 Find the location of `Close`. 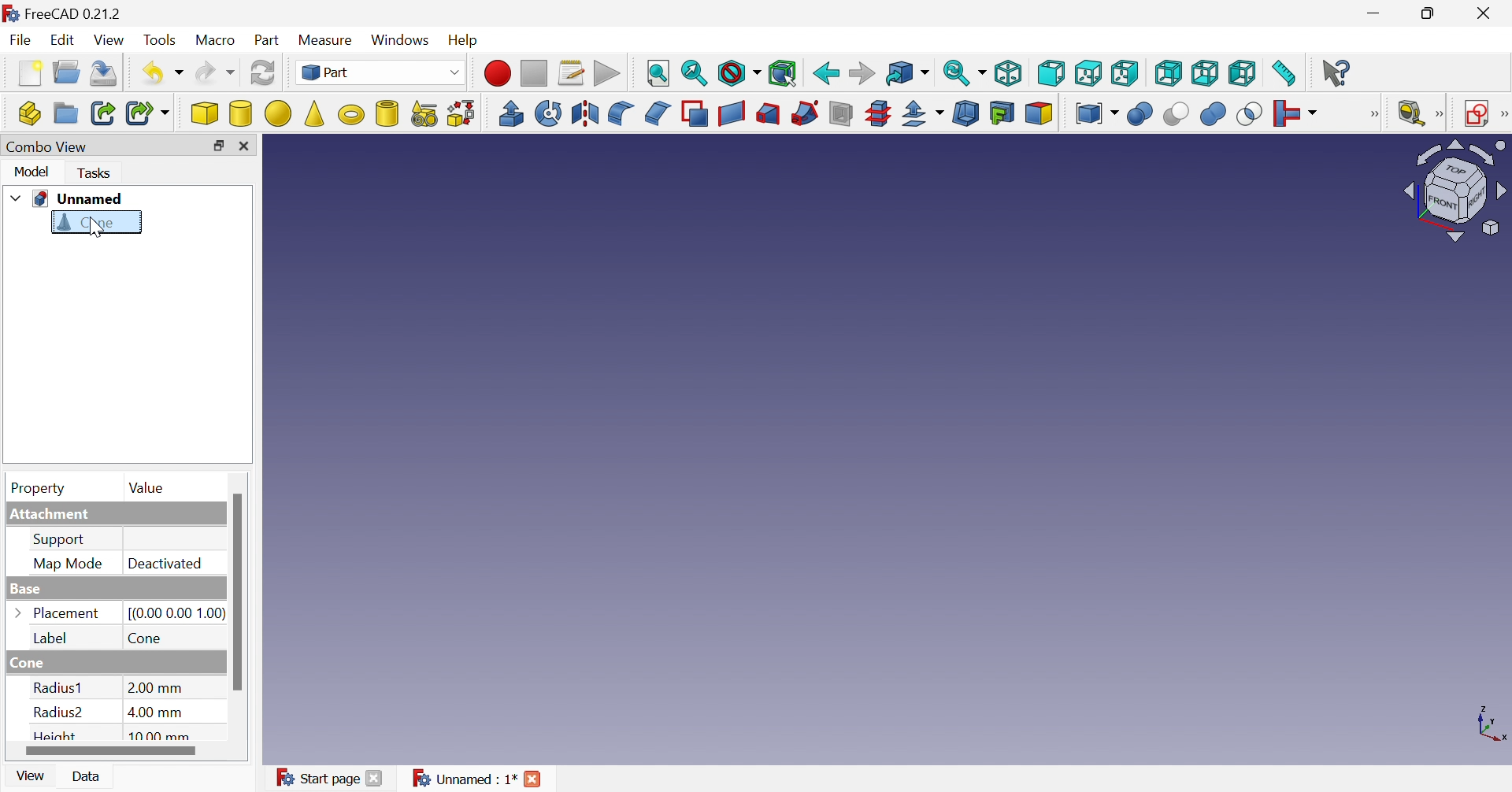

Close is located at coordinates (1489, 13).